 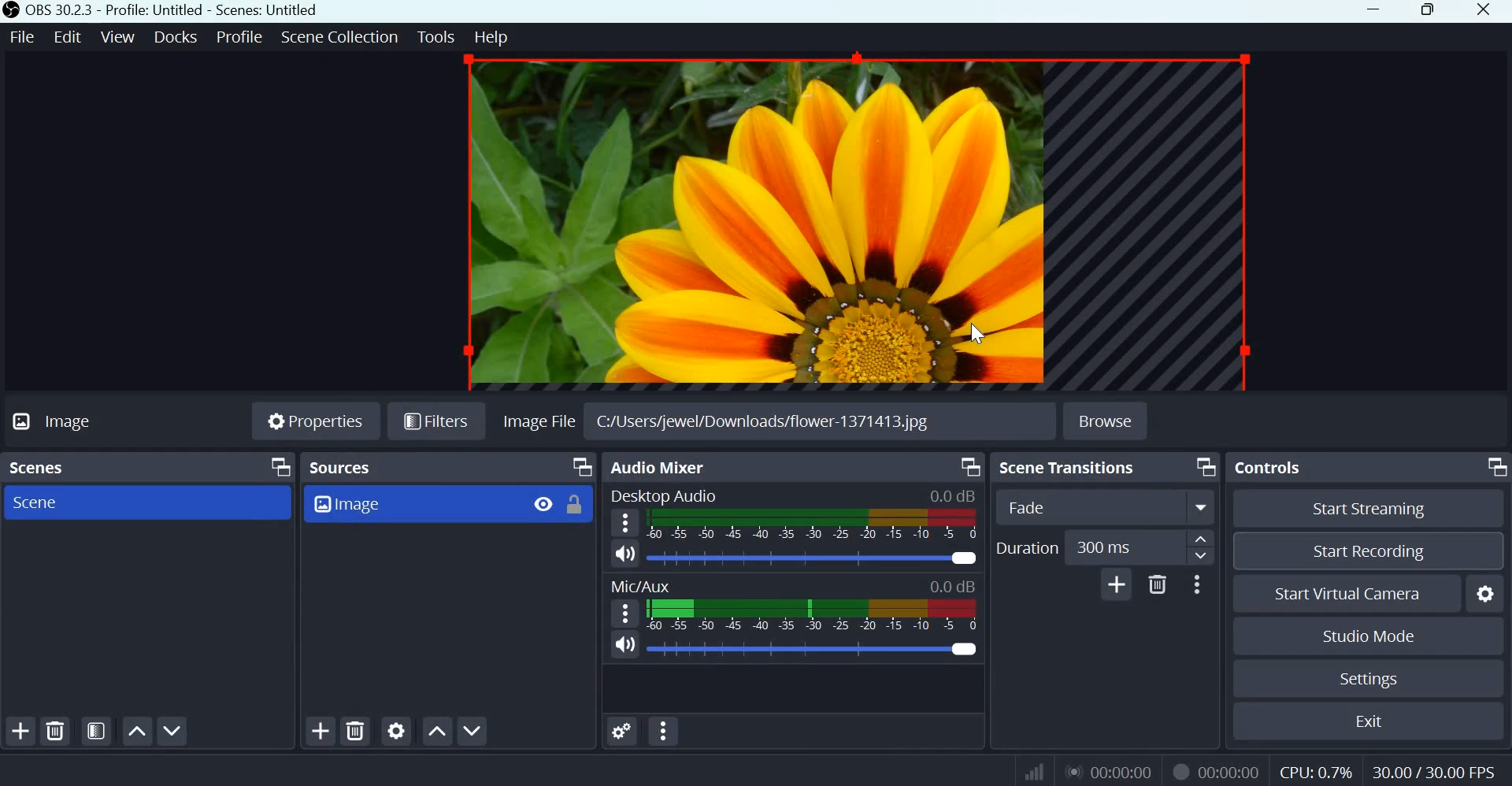 I want to click on Recording Status Icon, so click(x=1180, y=771).